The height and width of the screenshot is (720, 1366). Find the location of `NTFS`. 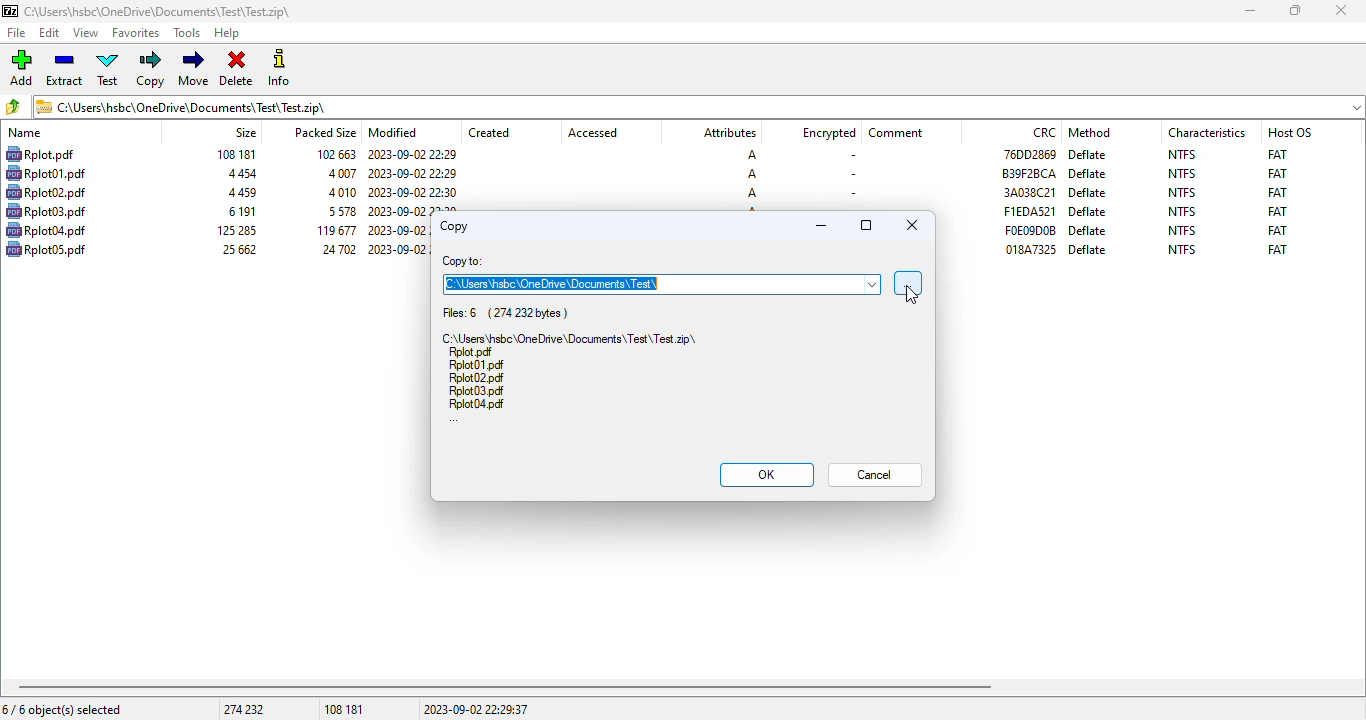

NTFS is located at coordinates (1182, 174).